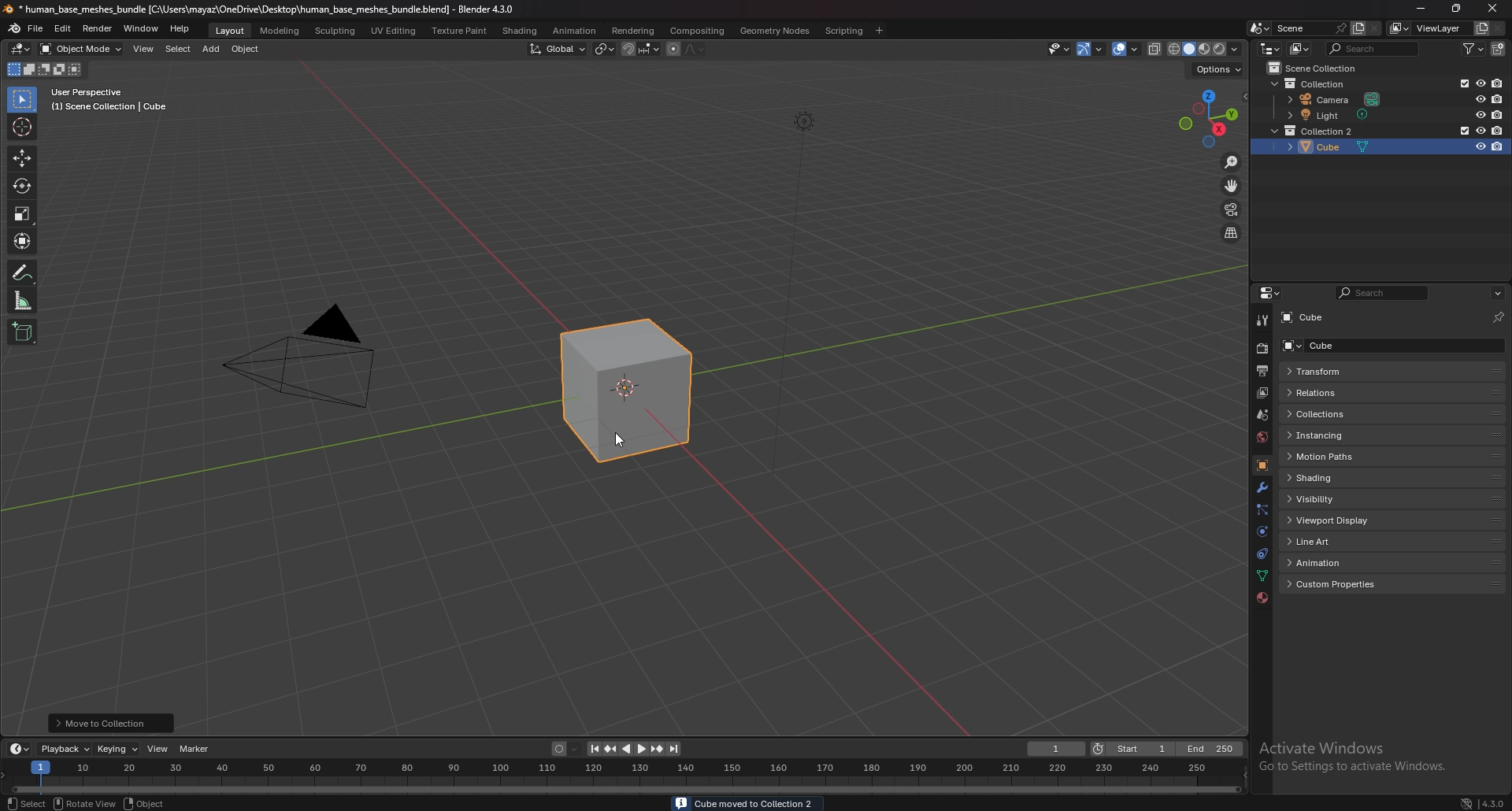  What do you see at coordinates (1235, 48) in the screenshot?
I see `shading` at bounding box center [1235, 48].